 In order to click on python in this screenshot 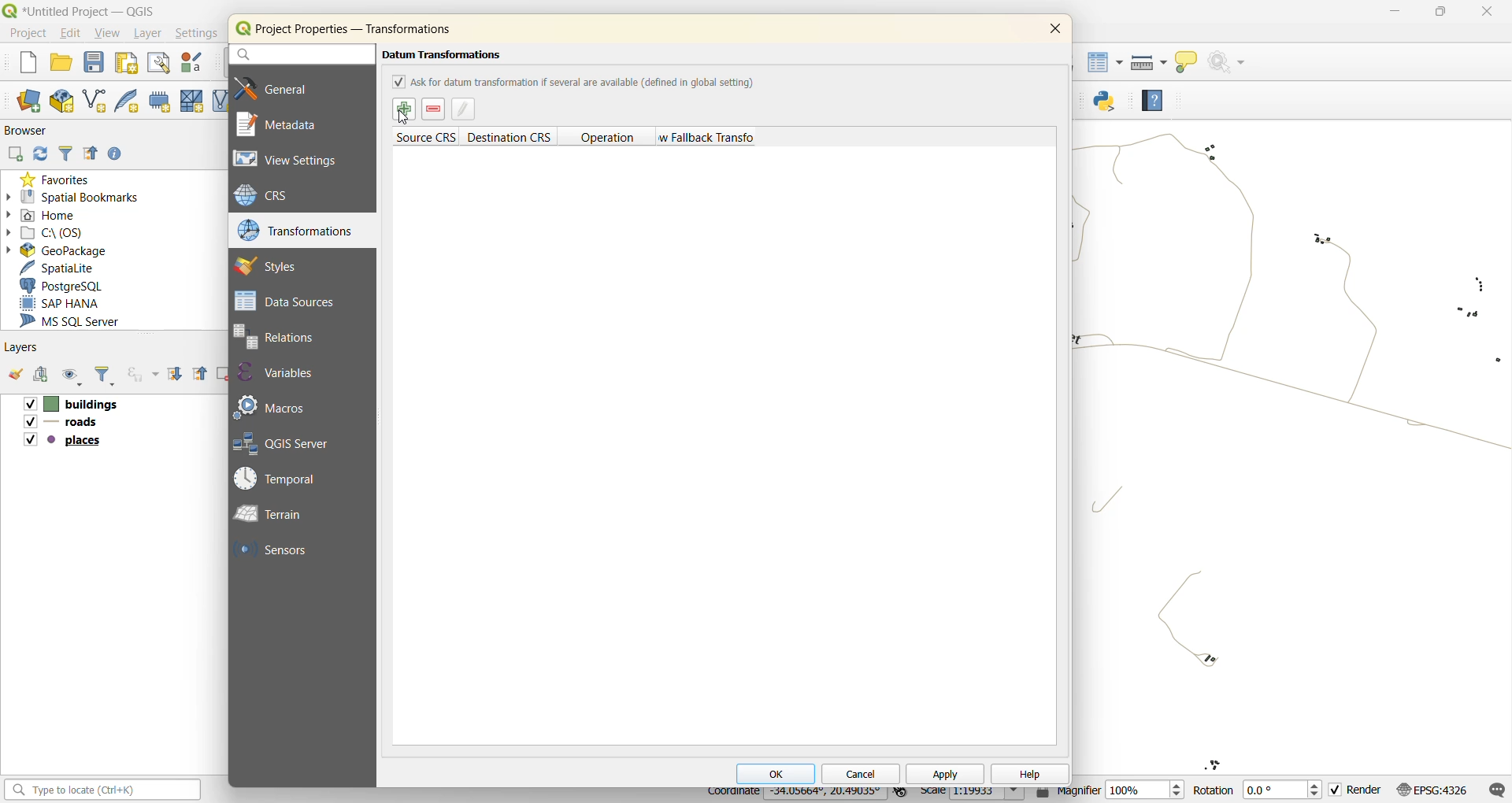, I will do `click(1110, 103)`.